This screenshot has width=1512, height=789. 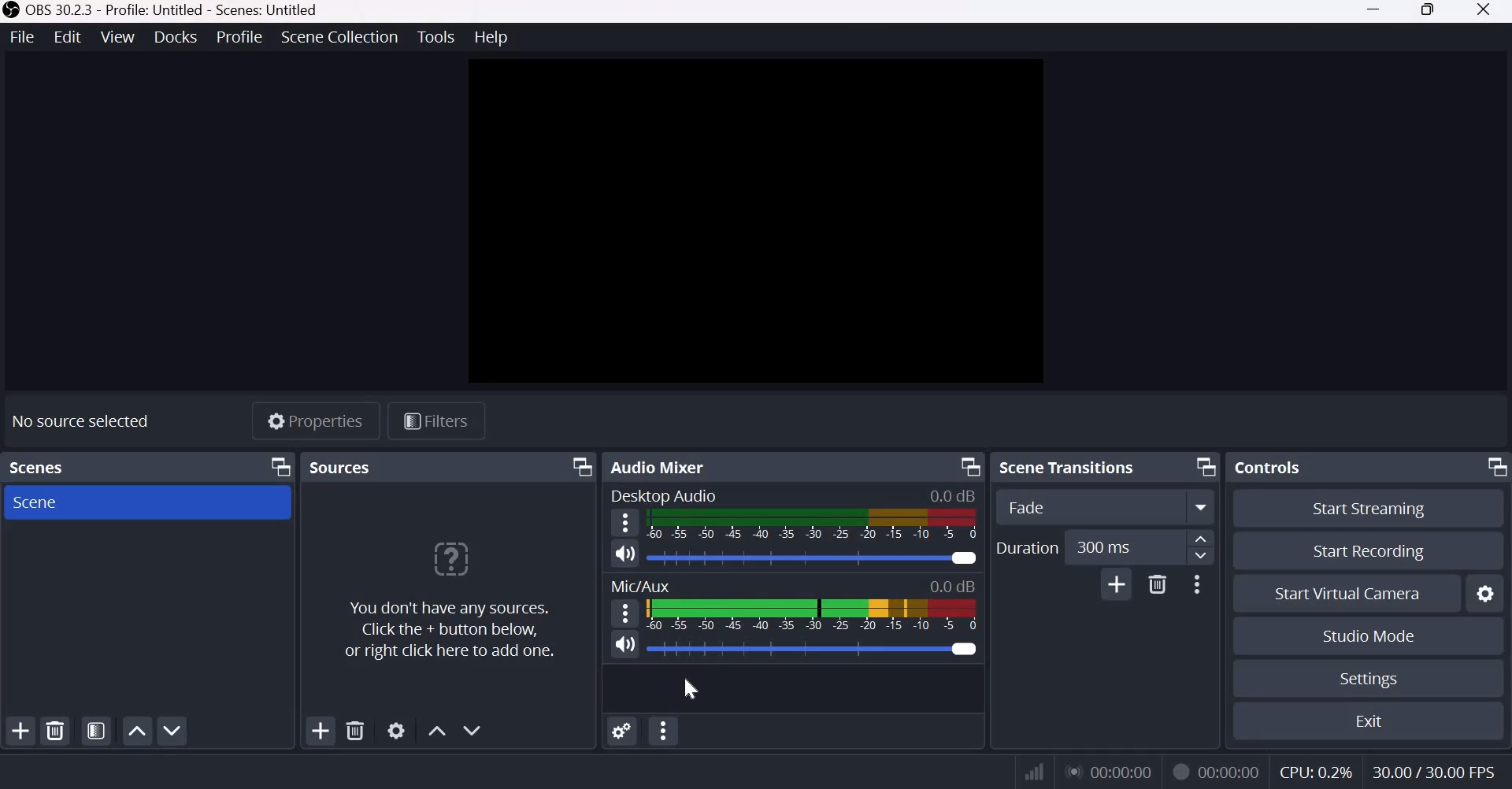 What do you see at coordinates (624, 612) in the screenshot?
I see `hamburger menu` at bounding box center [624, 612].